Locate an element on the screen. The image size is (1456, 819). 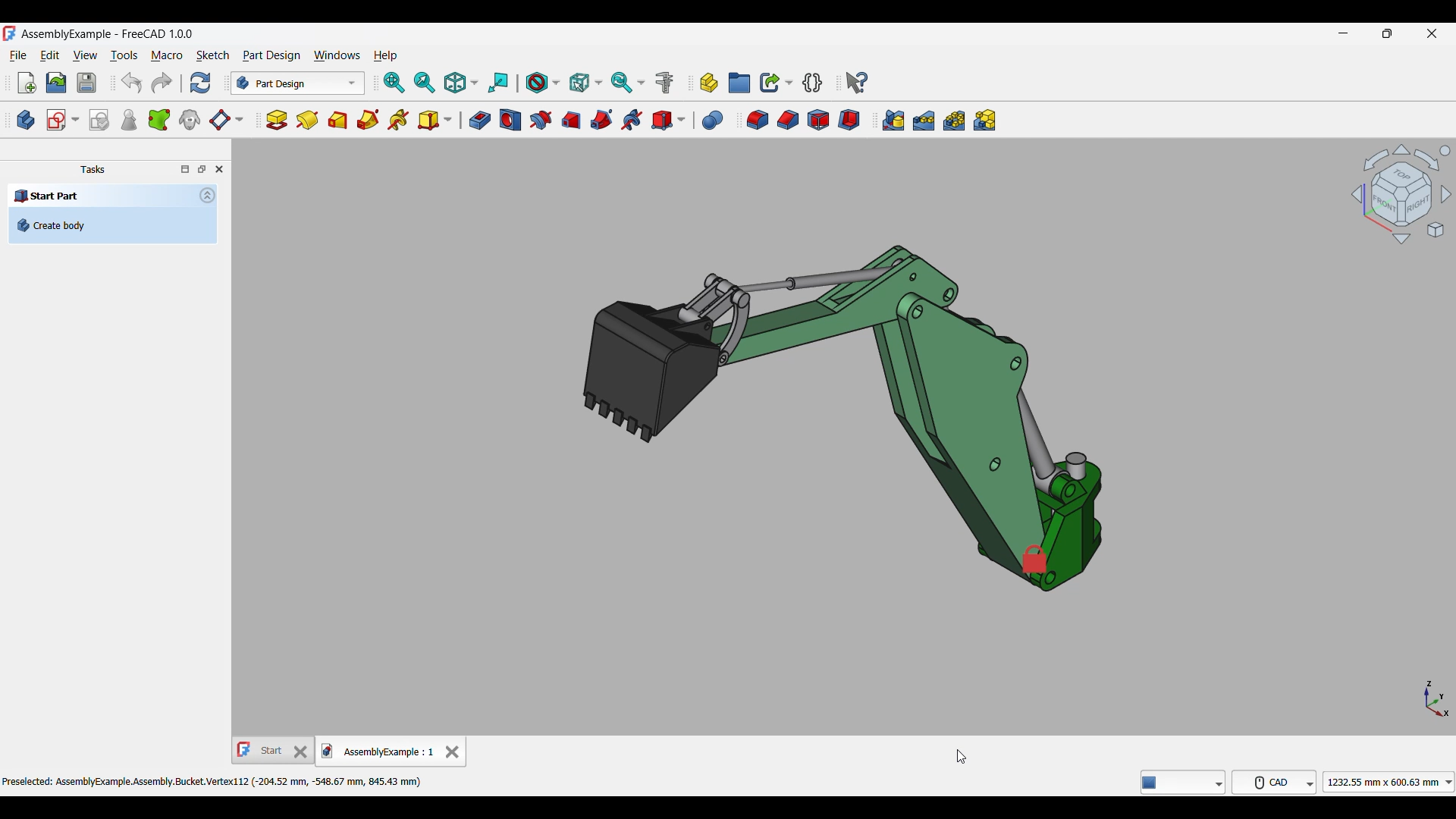
Create a variable set is located at coordinates (813, 83).